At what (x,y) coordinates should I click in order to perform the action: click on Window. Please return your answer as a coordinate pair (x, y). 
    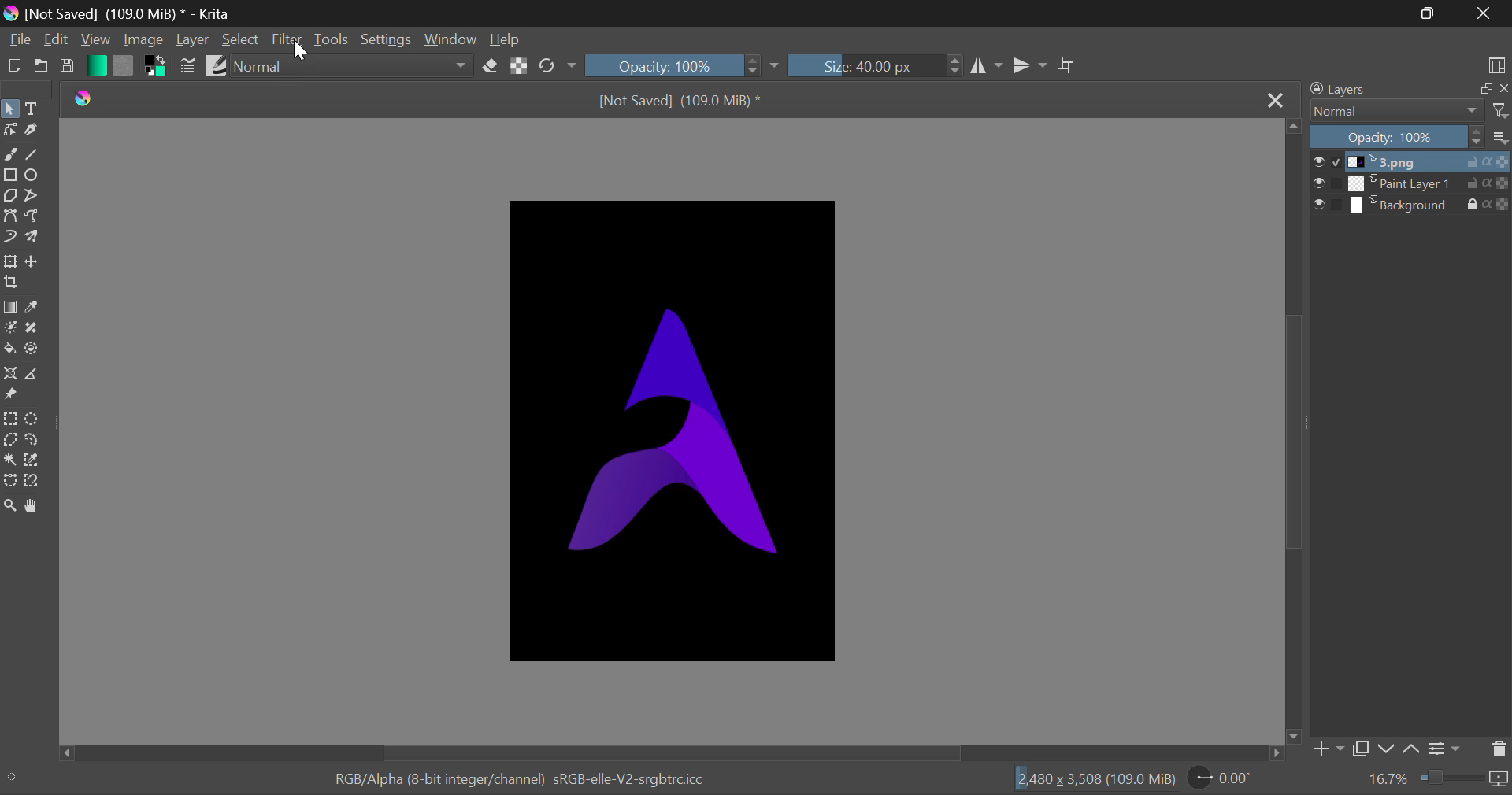
    Looking at the image, I should click on (450, 39).